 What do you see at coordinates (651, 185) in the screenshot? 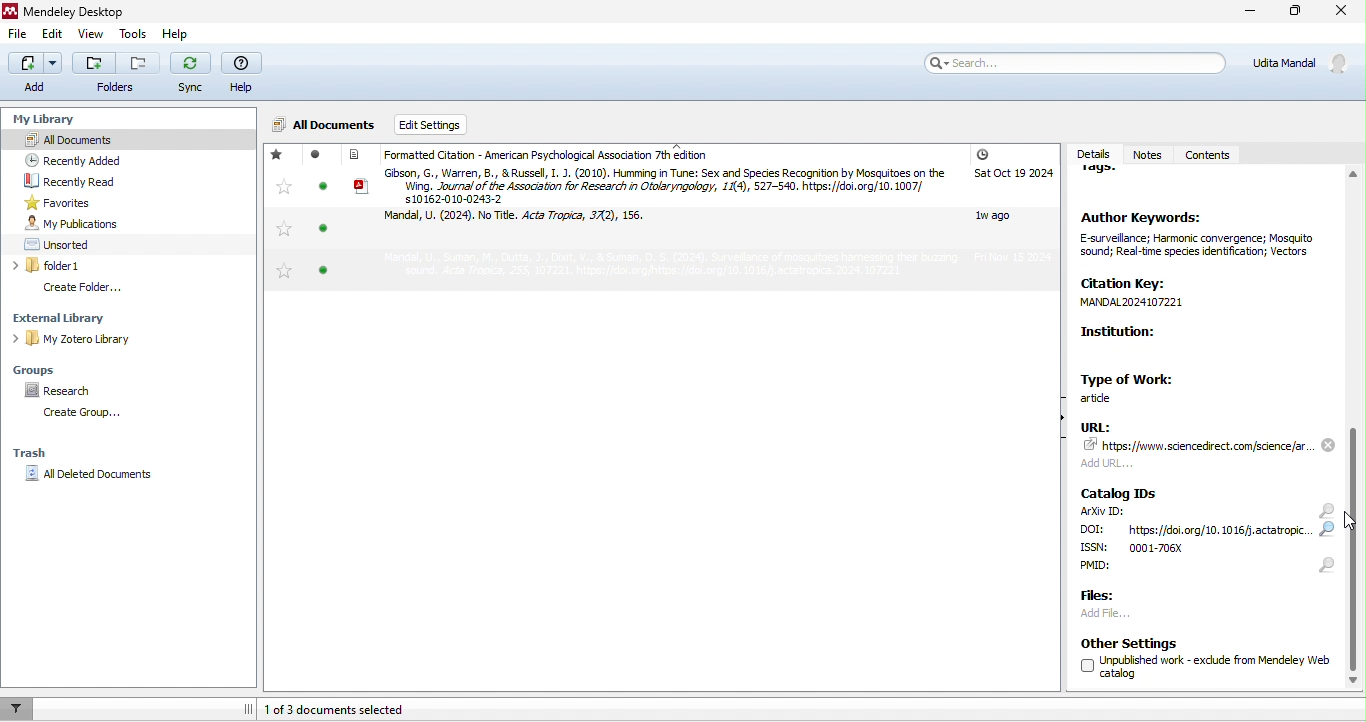
I see `article by Gibson and Russel, 2010` at bounding box center [651, 185].